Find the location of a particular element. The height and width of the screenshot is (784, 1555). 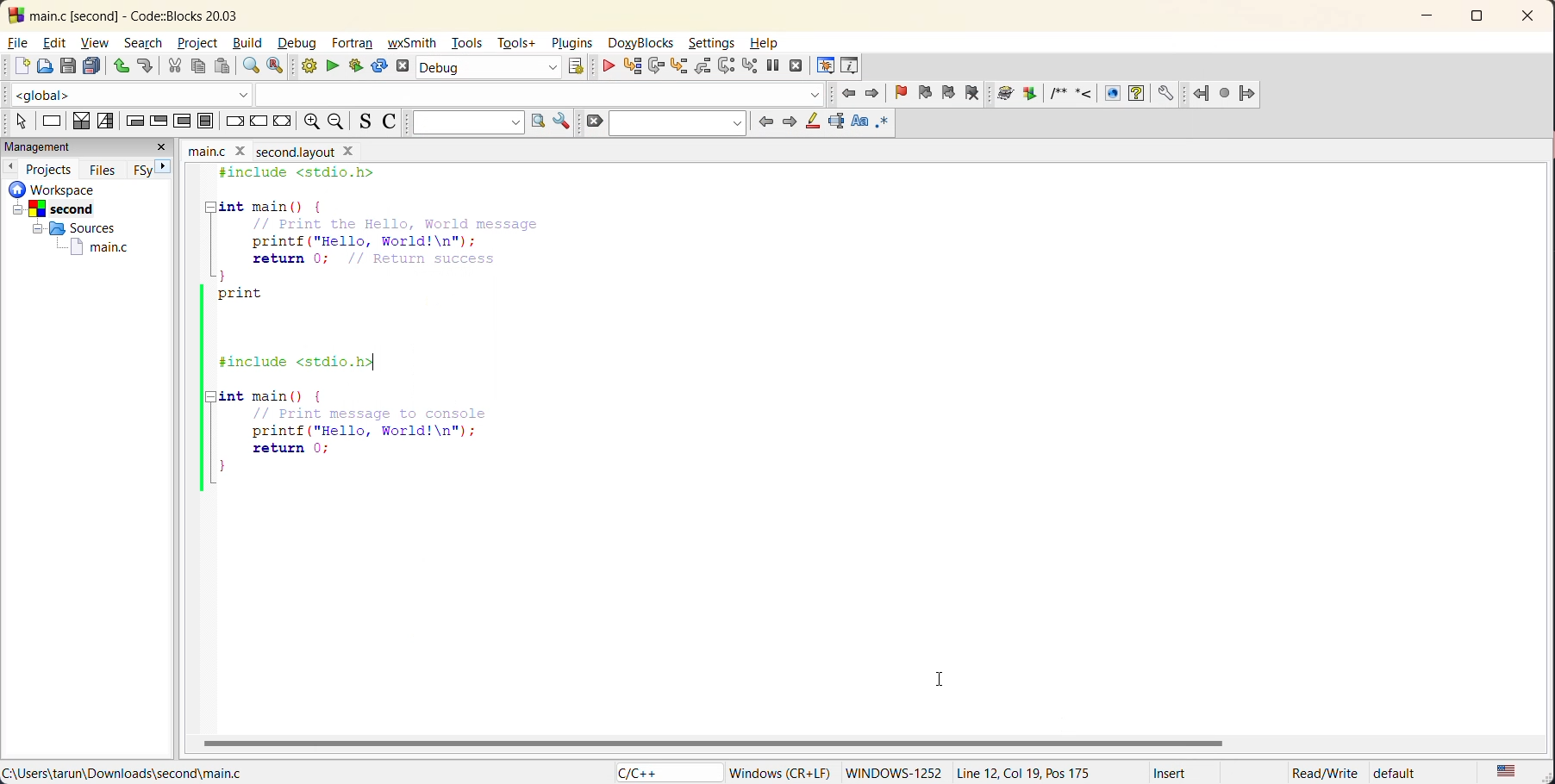

project is located at coordinates (200, 45).